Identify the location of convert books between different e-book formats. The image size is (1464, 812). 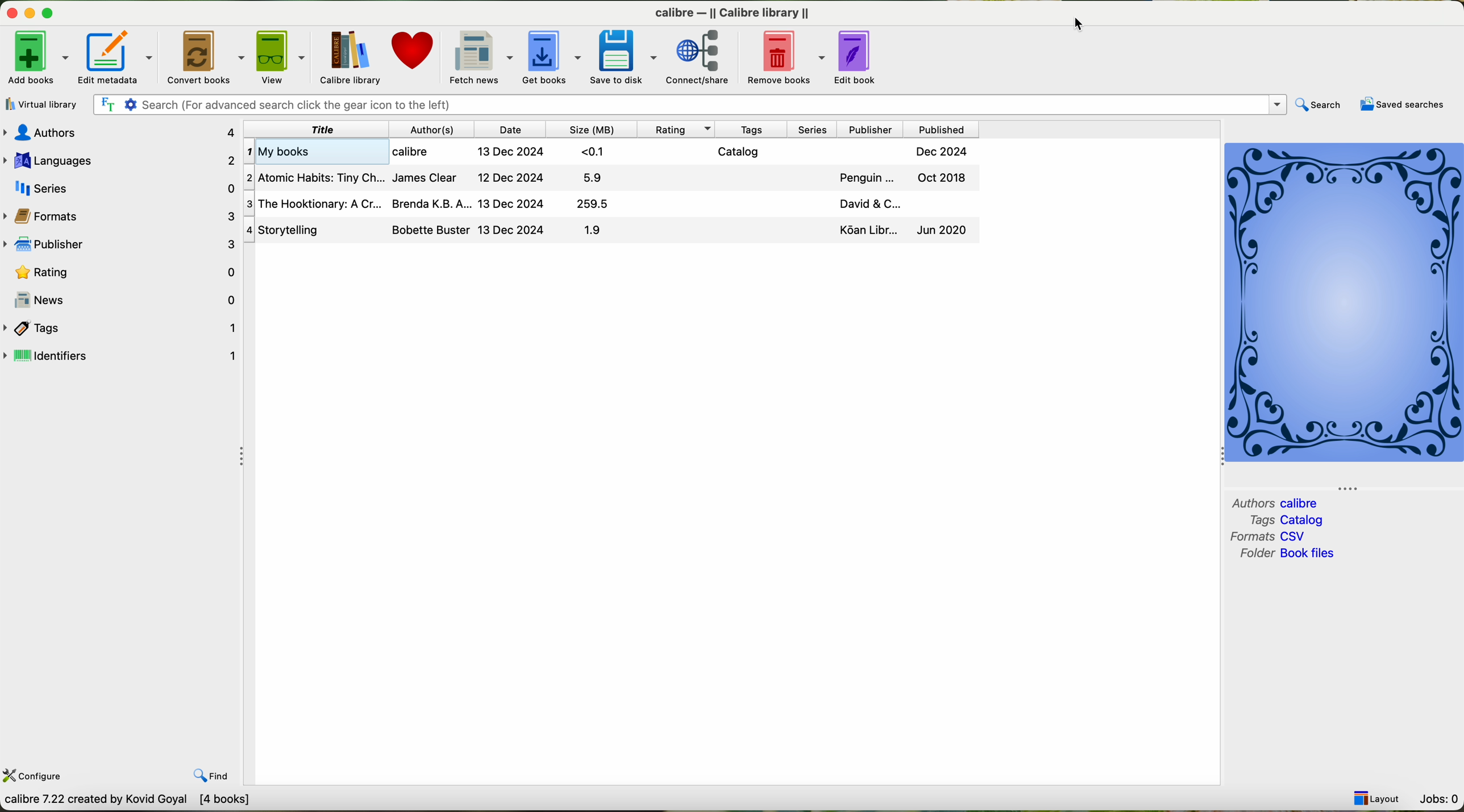
(135, 802).